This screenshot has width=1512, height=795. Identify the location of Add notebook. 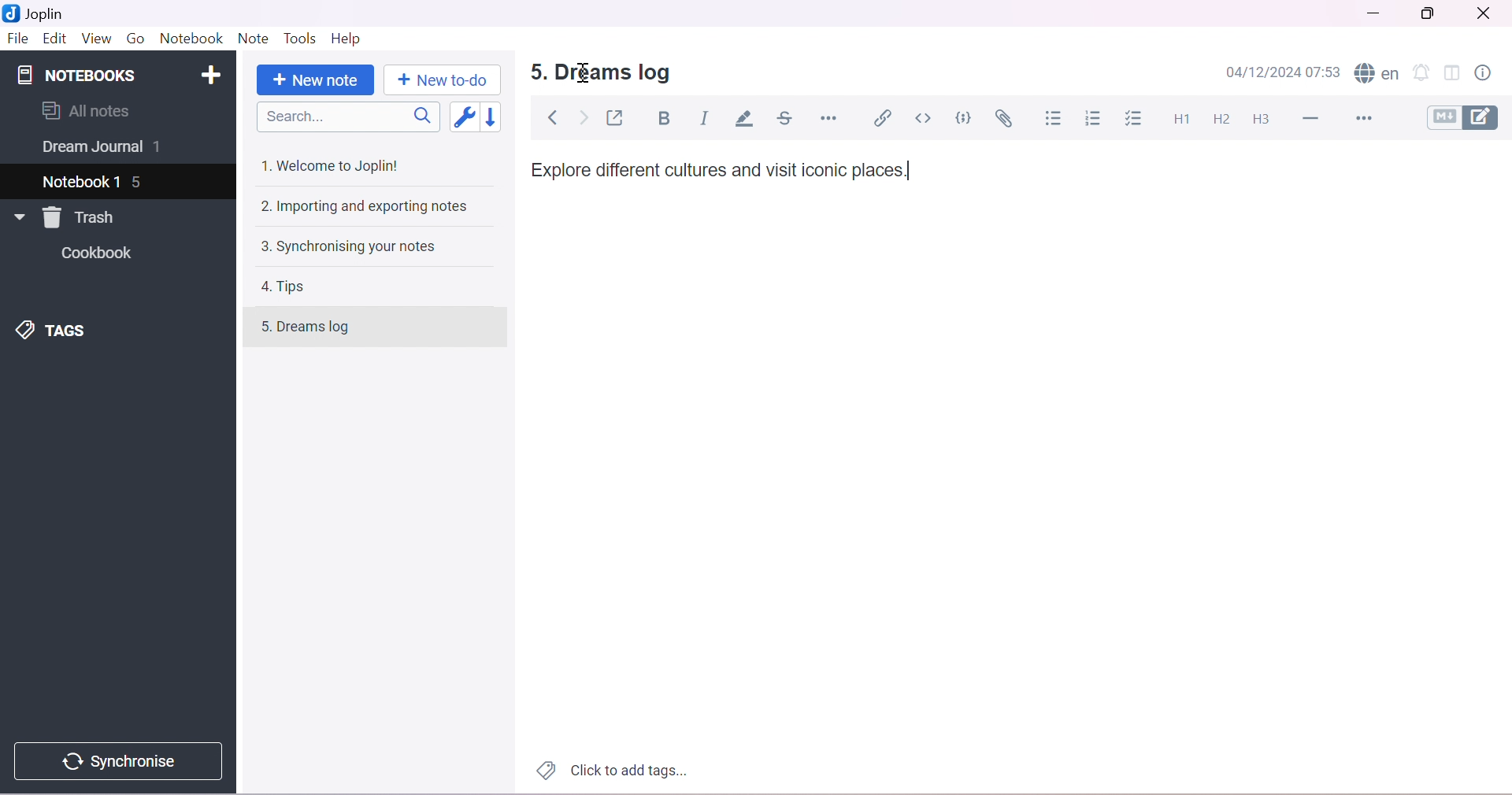
(215, 72).